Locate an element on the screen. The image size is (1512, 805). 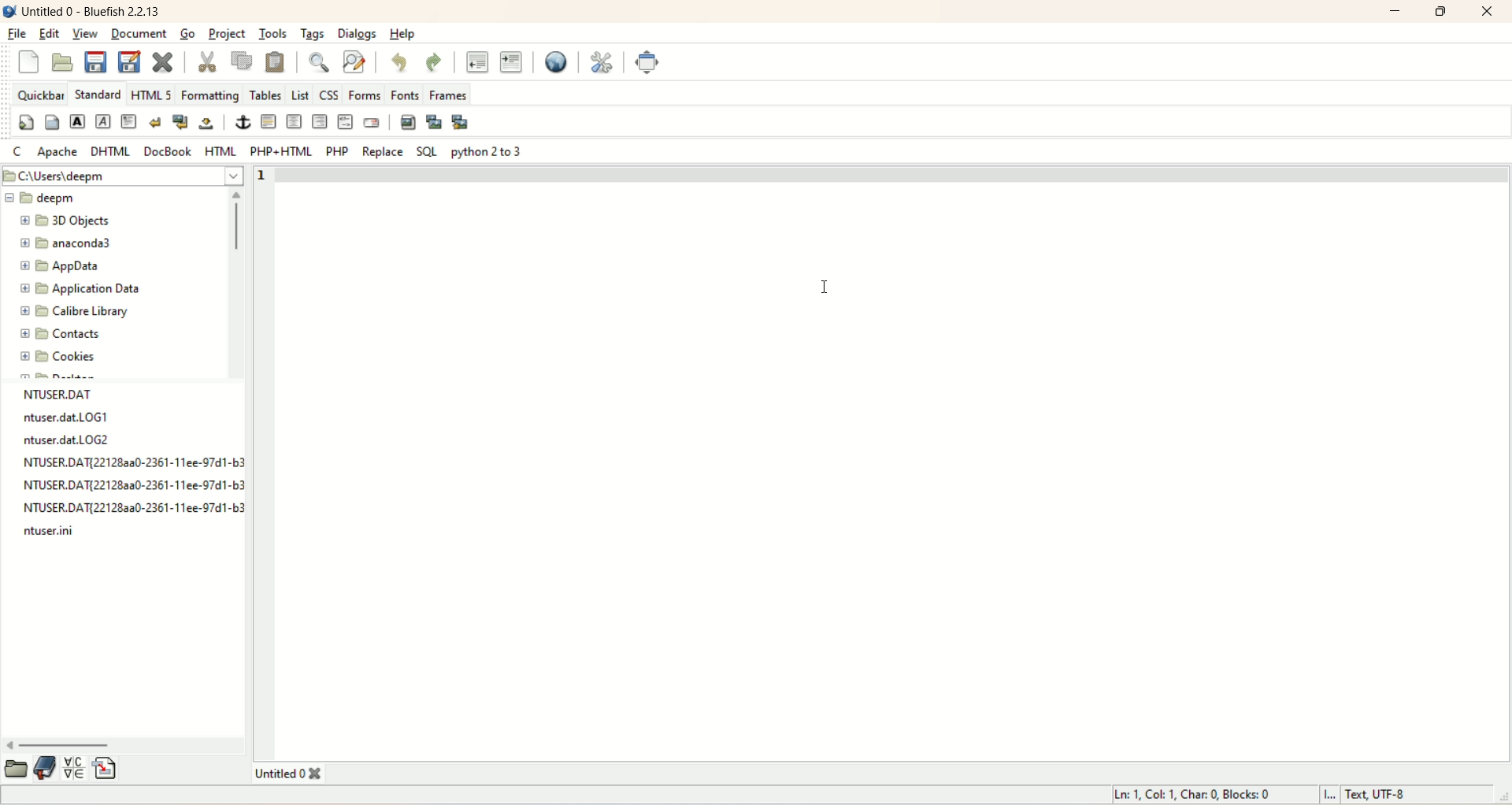
vertical scroll bar is located at coordinates (238, 283).